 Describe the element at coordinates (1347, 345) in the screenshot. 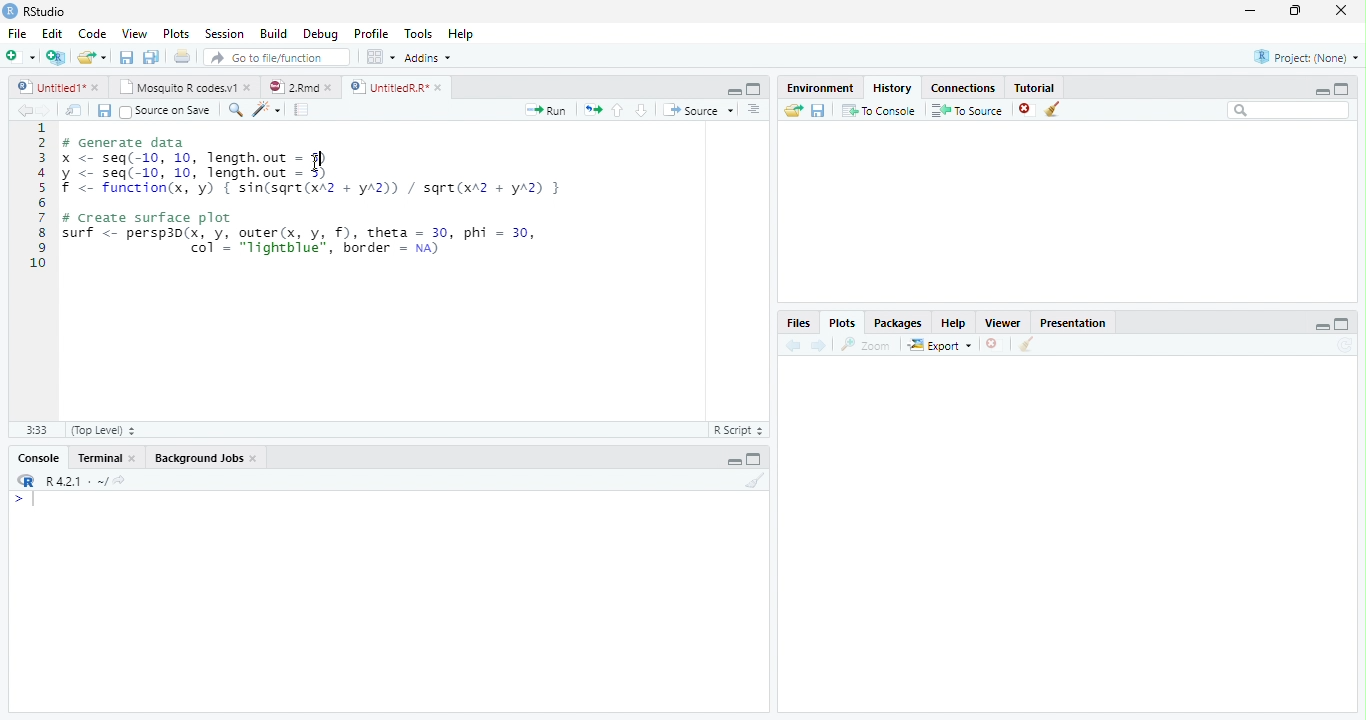

I see `Refresh current plot` at that location.